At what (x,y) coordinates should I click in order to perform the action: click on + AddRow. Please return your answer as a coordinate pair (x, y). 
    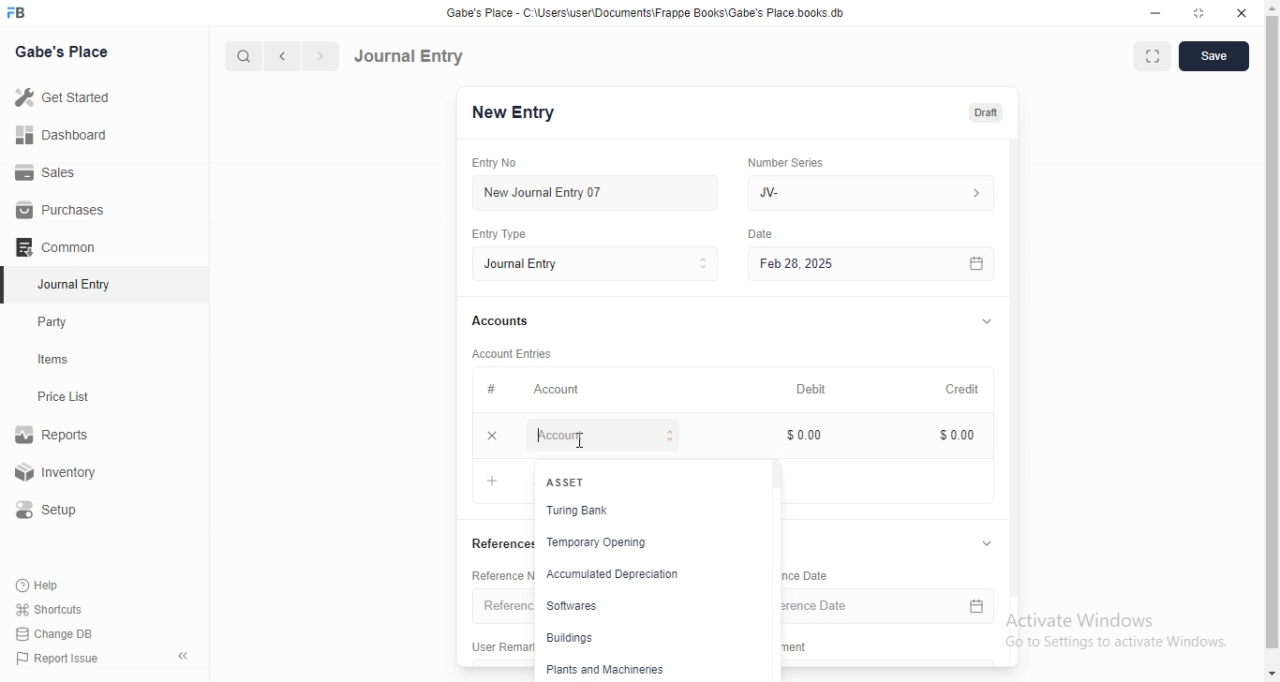
    Looking at the image, I should click on (492, 480).